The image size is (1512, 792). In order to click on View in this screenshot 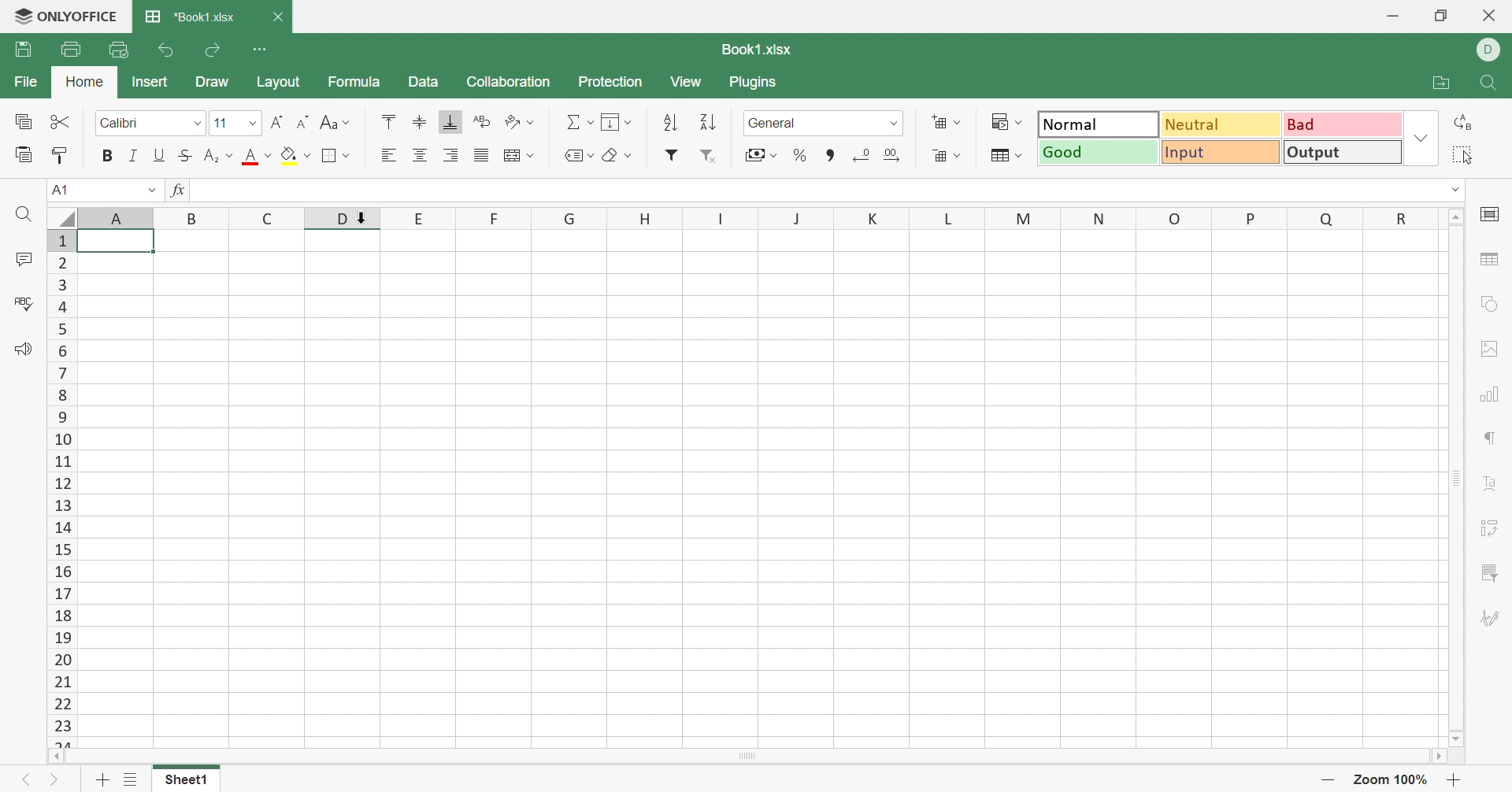, I will do `click(688, 83)`.